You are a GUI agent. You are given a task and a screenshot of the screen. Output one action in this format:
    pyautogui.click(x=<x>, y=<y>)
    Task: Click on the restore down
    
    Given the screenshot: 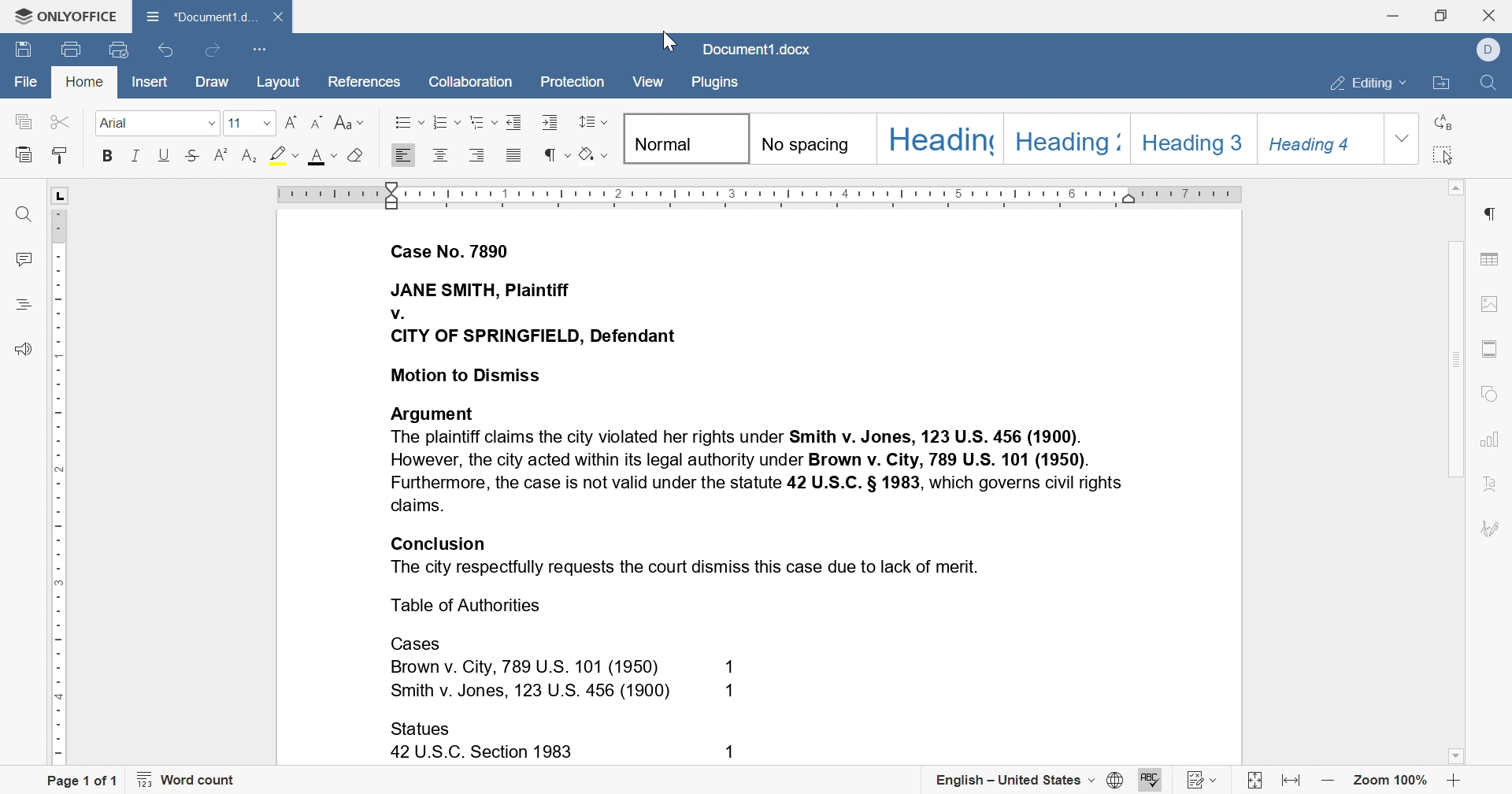 What is the action you would take?
    pyautogui.click(x=1442, y=17)
    